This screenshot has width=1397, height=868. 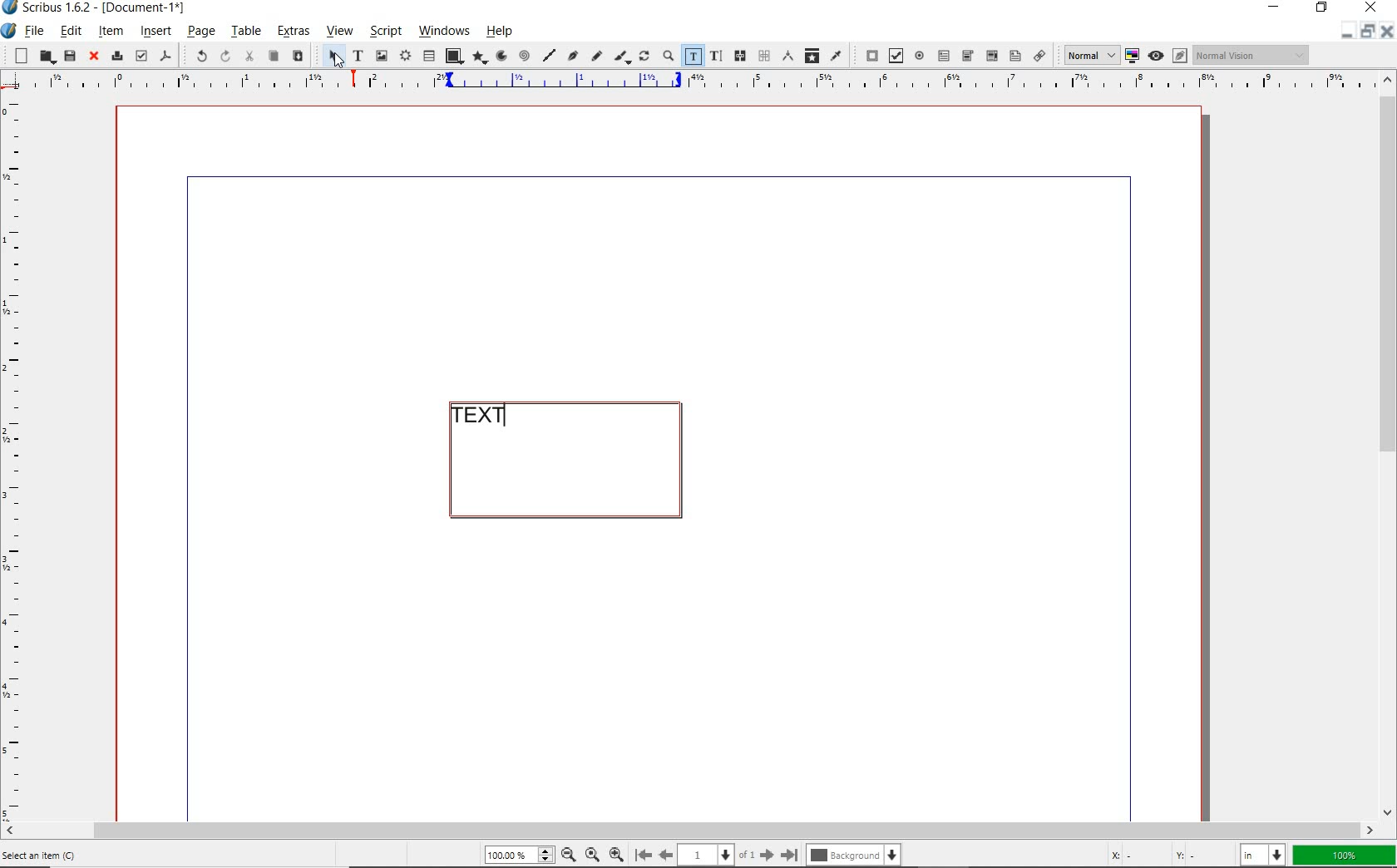 I want to click on calligraphic line, so click(x=623, y=57).